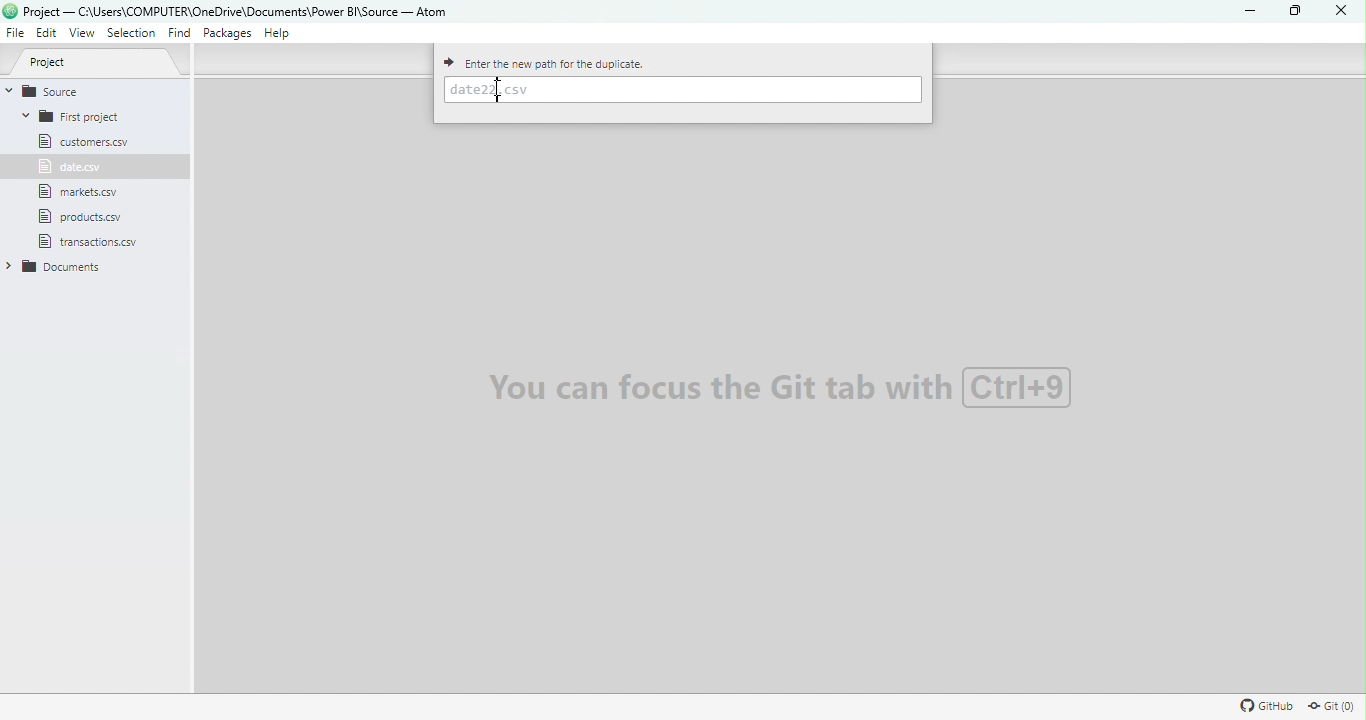 This screenshot has width=1366, height=720. Describe the element at coordinates (84, 240) in the screenshot. I see `file` at that location.